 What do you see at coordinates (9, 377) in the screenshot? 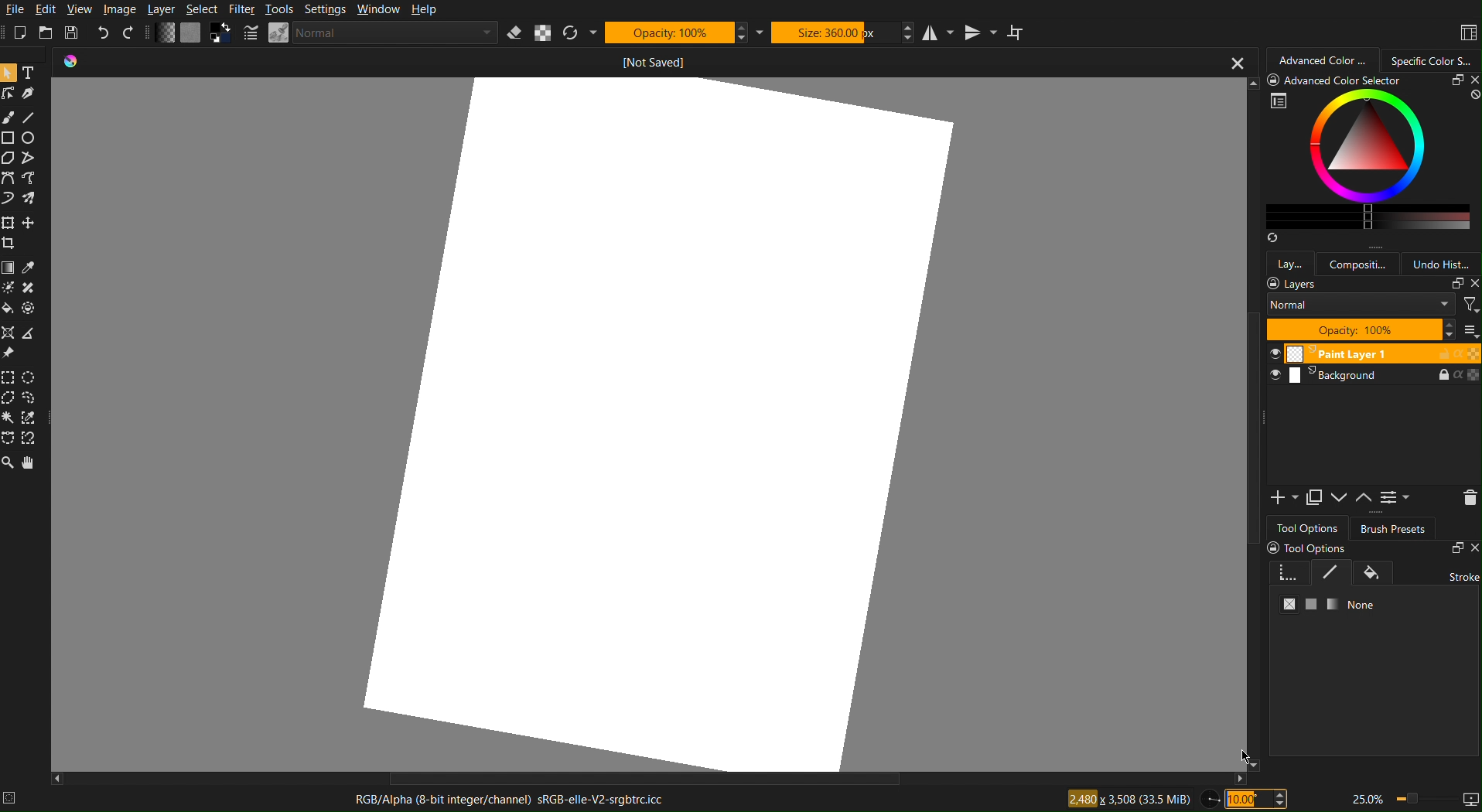
I see `Rectangular Selection Tool` at bounding box center [9, 377].